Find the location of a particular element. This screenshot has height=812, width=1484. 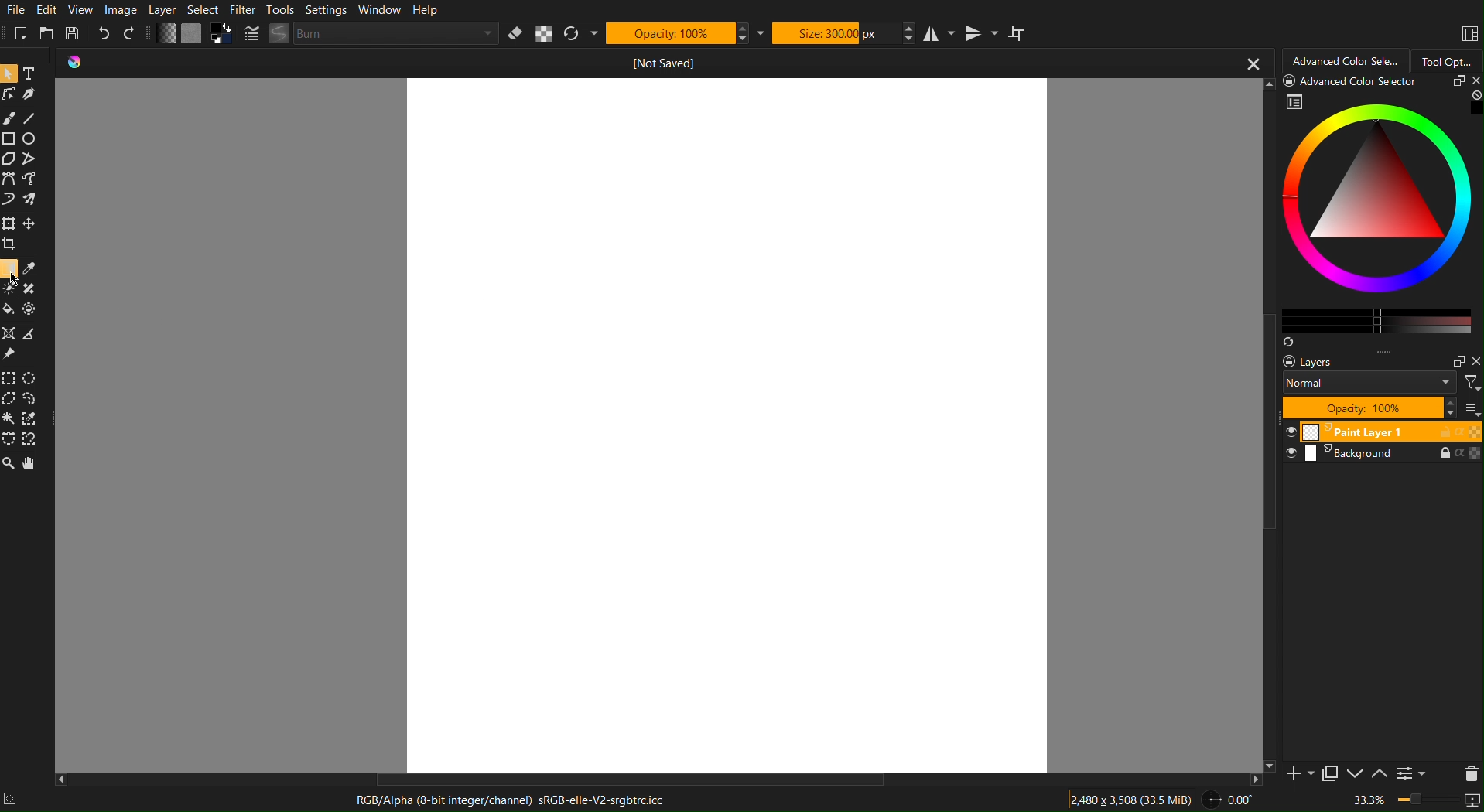

Image is located at coordinates (120, 10).